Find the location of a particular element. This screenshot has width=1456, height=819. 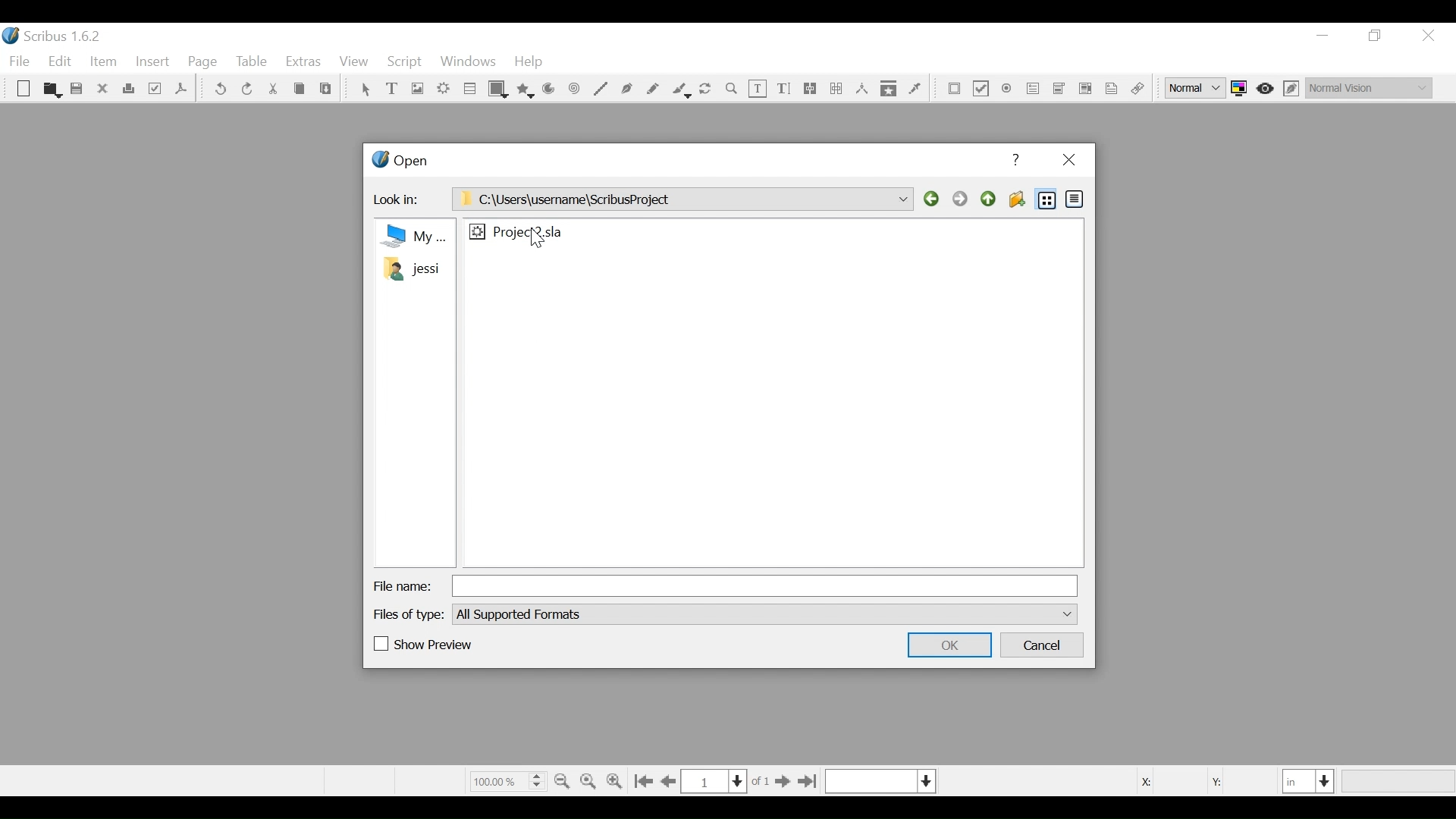

Measurements is located at coordinates (861, 89).